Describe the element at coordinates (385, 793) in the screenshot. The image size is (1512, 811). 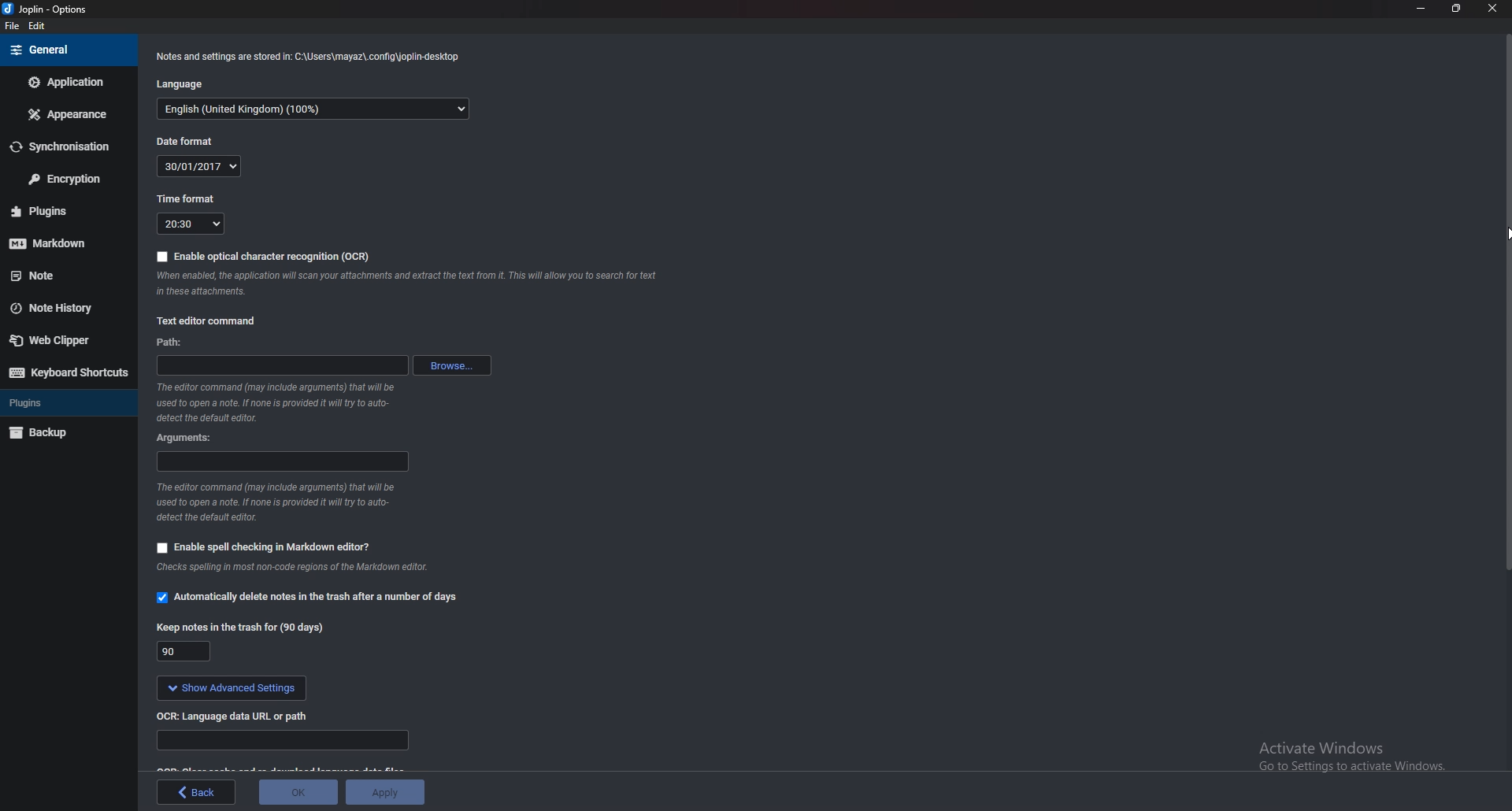
I see `Apply` at that location.